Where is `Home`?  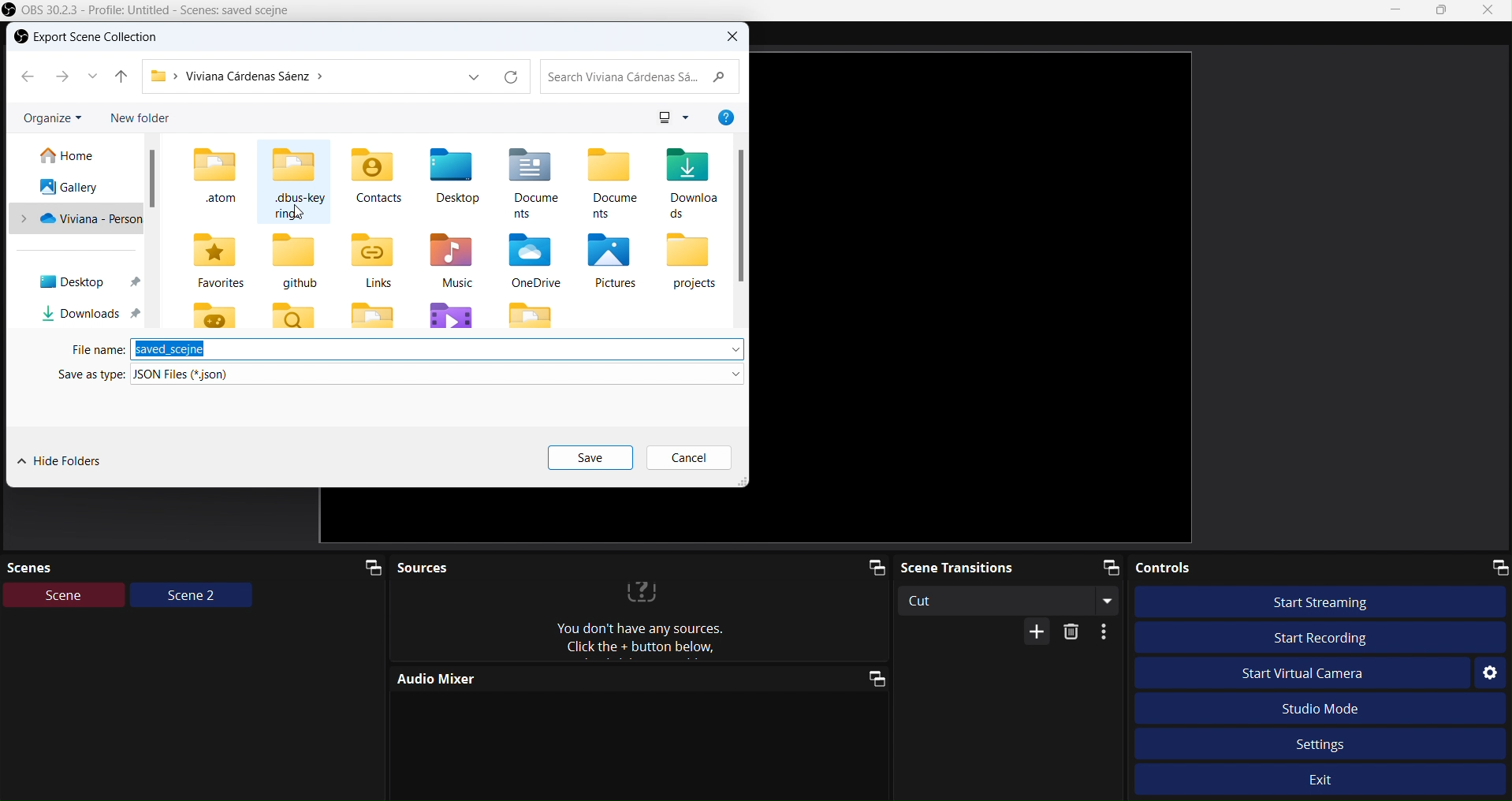 Home is located at coordinates (71, 156).